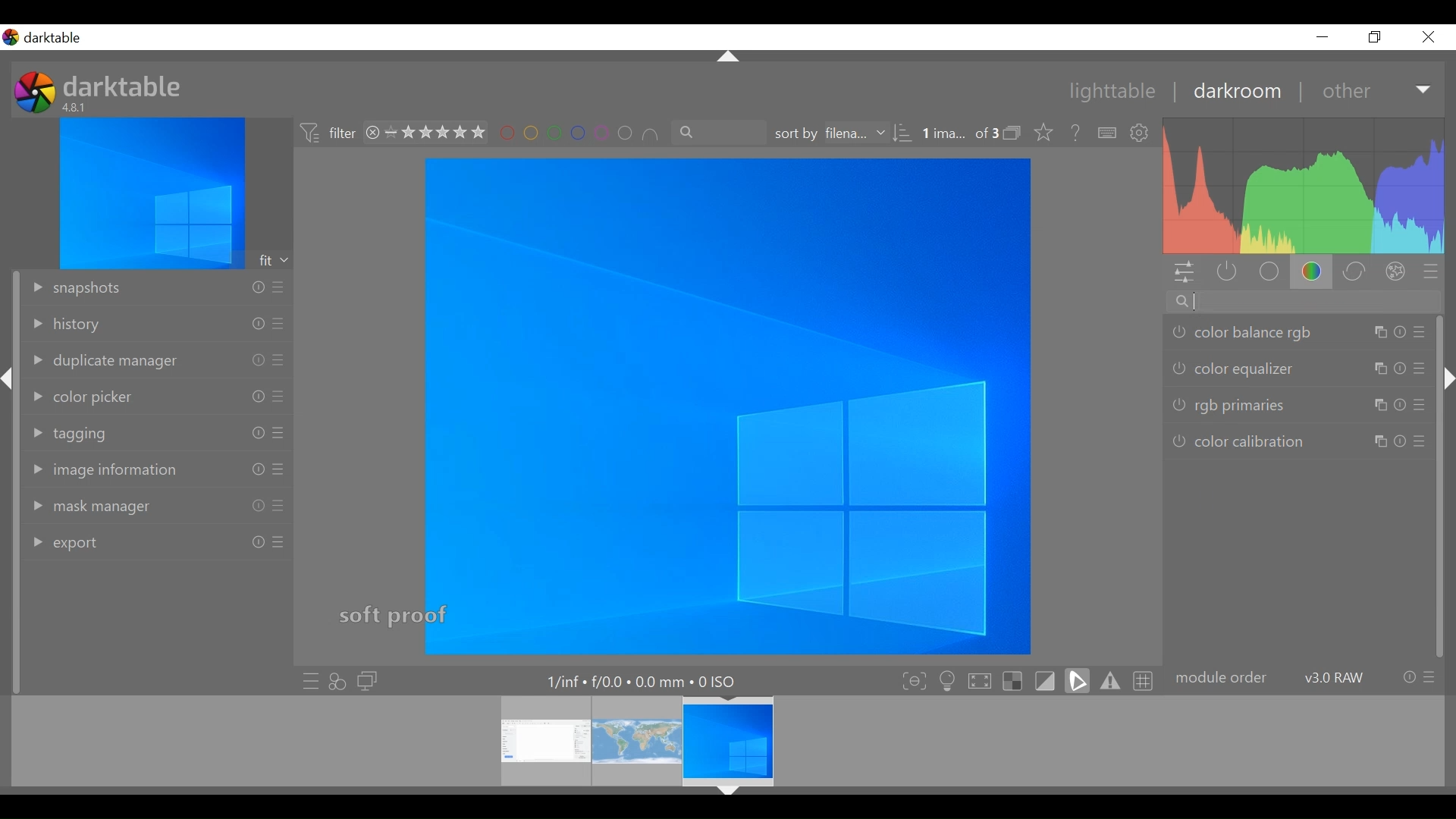  Describe the element at coordinates (723, 741) in the screenshot. I see `filmstrip` at that location.